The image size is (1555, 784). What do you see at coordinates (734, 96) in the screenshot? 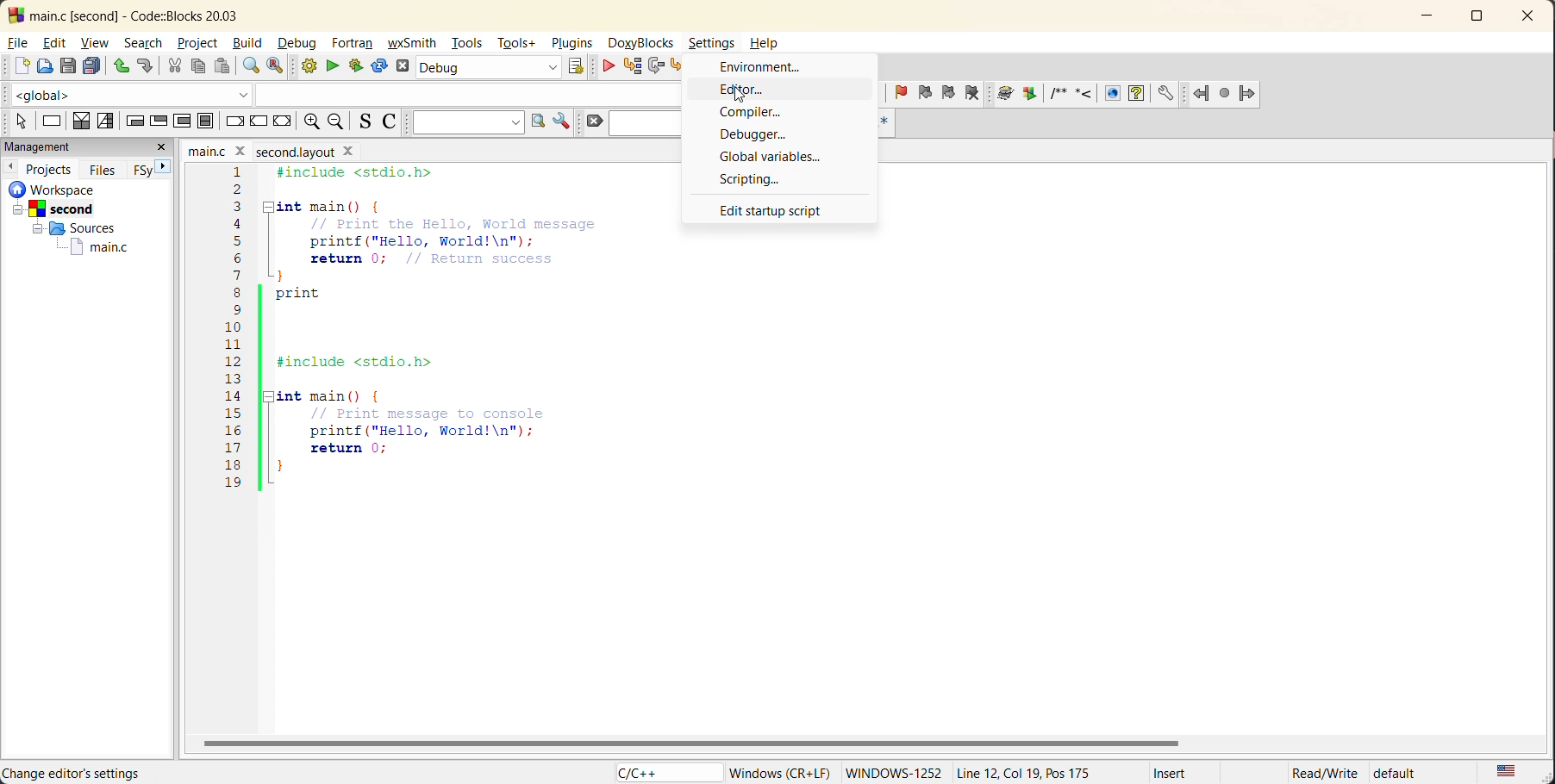
I see `cursor` at bounding box center [734, 96].